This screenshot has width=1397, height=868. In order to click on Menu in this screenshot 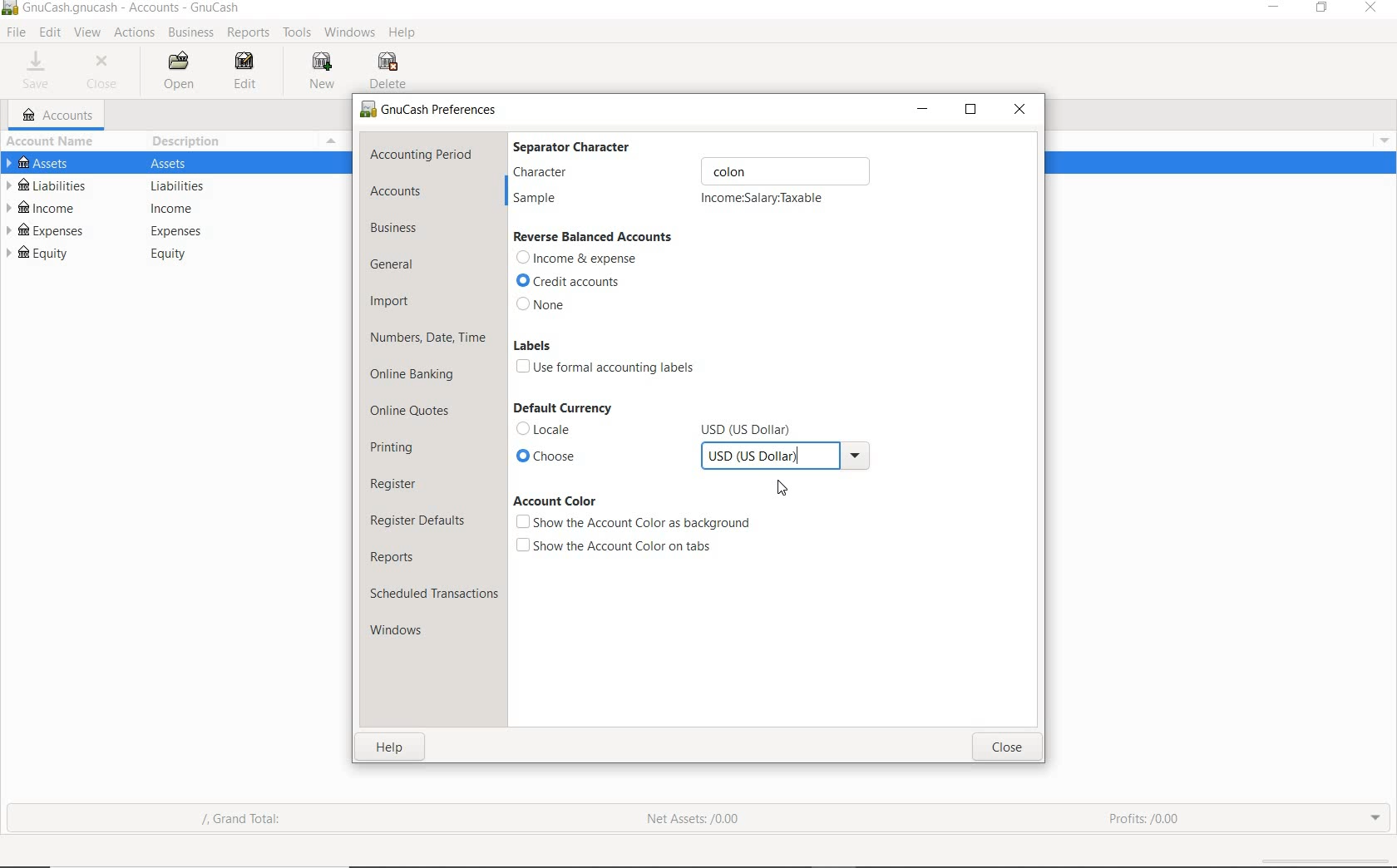, I will do `click(333, 141)`.